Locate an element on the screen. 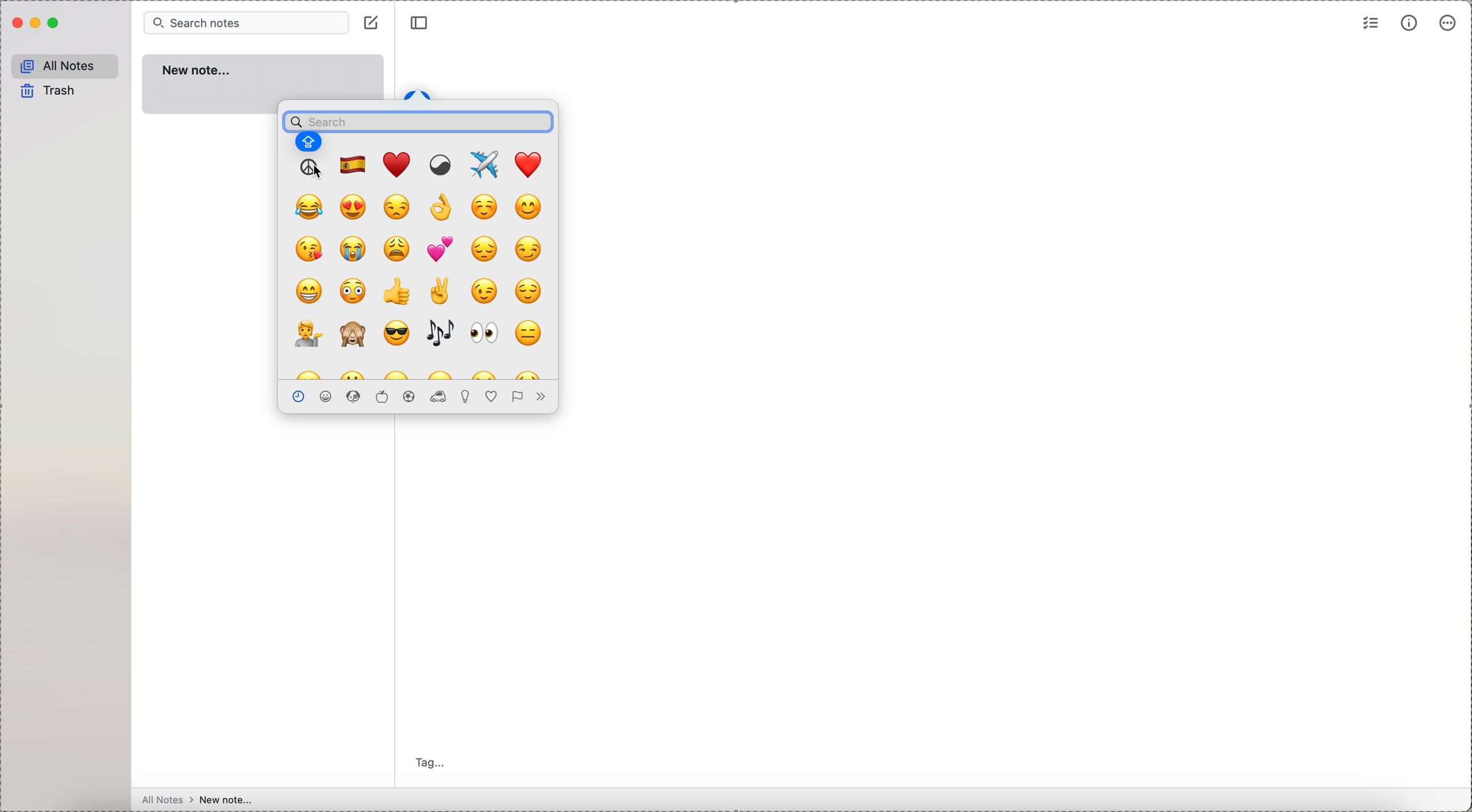 This screenshot has width=1472, height=812. emoji is located at coordinates (530, 163).